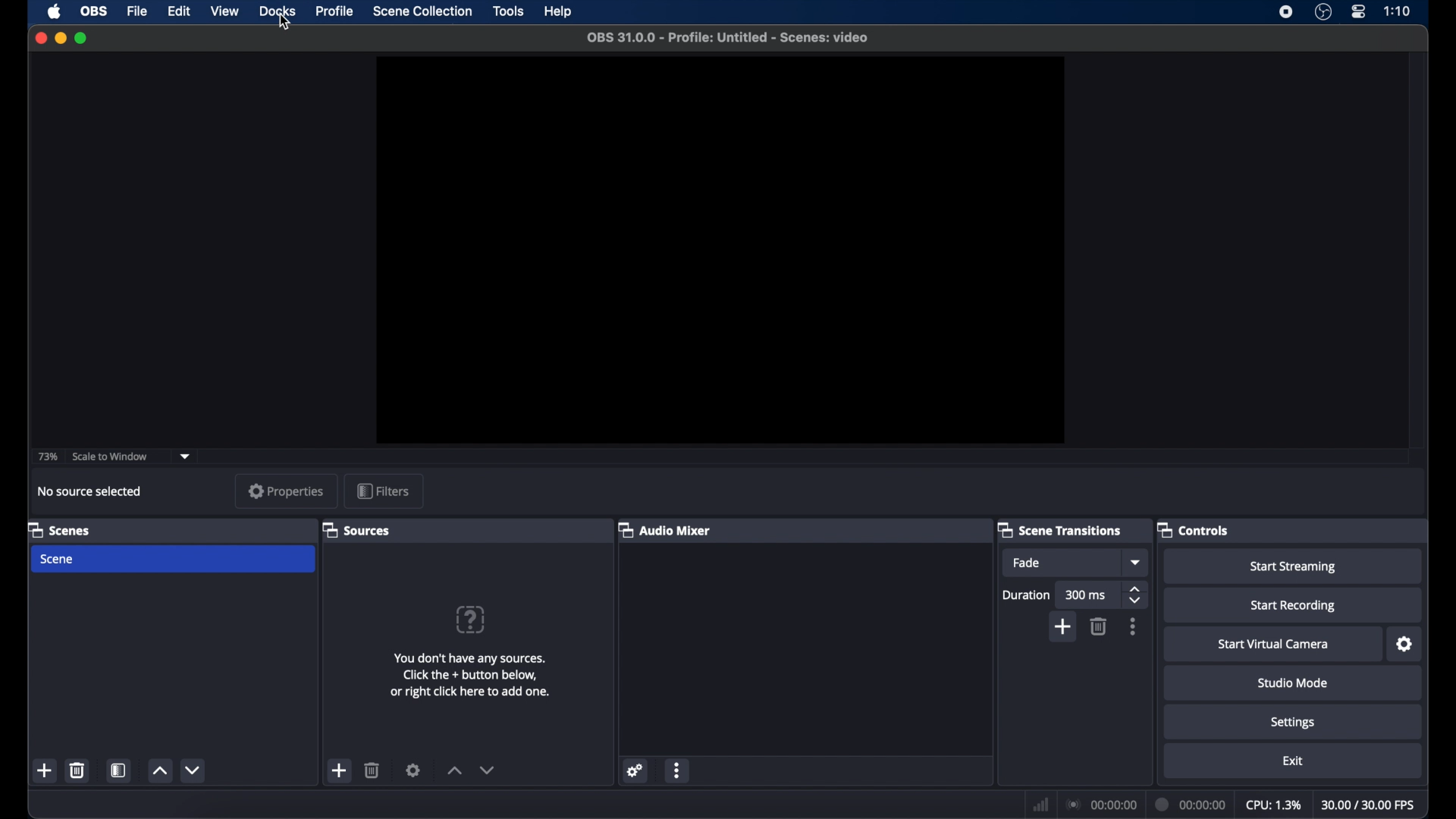 The width and height of the screenshot is (1456, 819). Describe the element at coordinates (58, 560) in the screenshot. I see `scene` at that location.